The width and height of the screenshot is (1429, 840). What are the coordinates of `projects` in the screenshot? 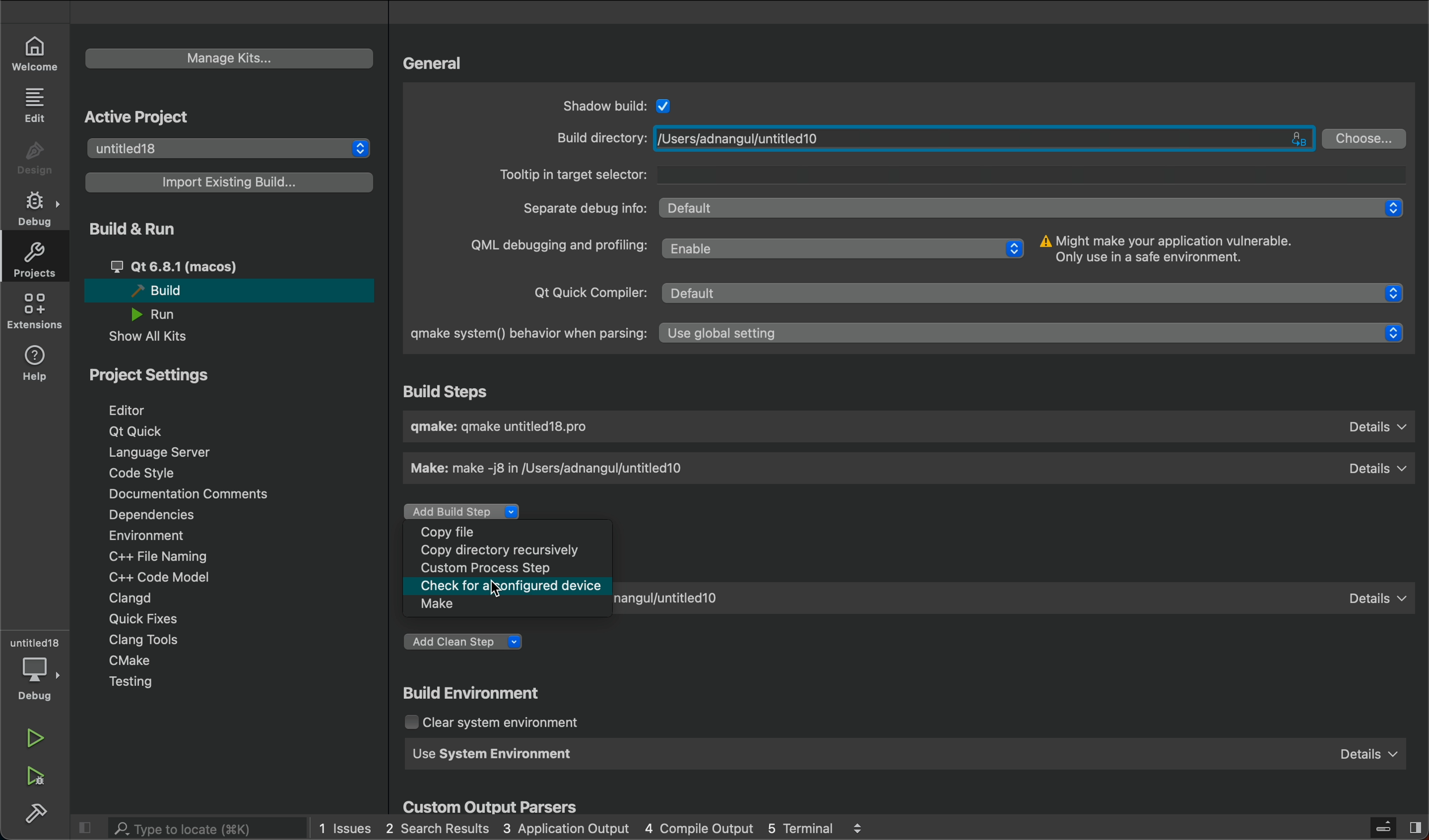 It's located at (36, 262).